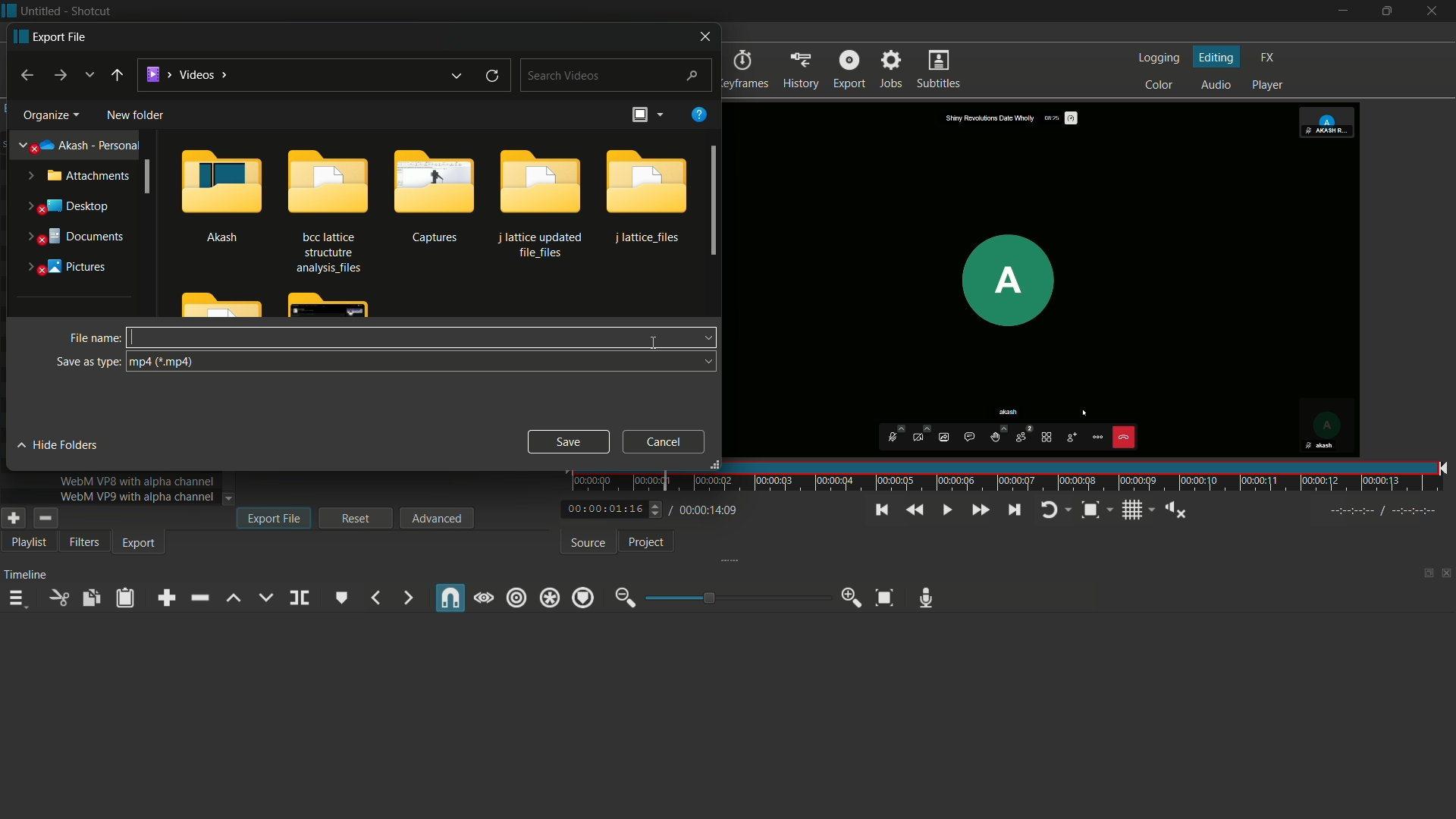 Image resolution: width=1456 pixels, height=819 pixels. Describe the element at coordinates (622, 598) in the screenshot. I see `zoom out` at that location.